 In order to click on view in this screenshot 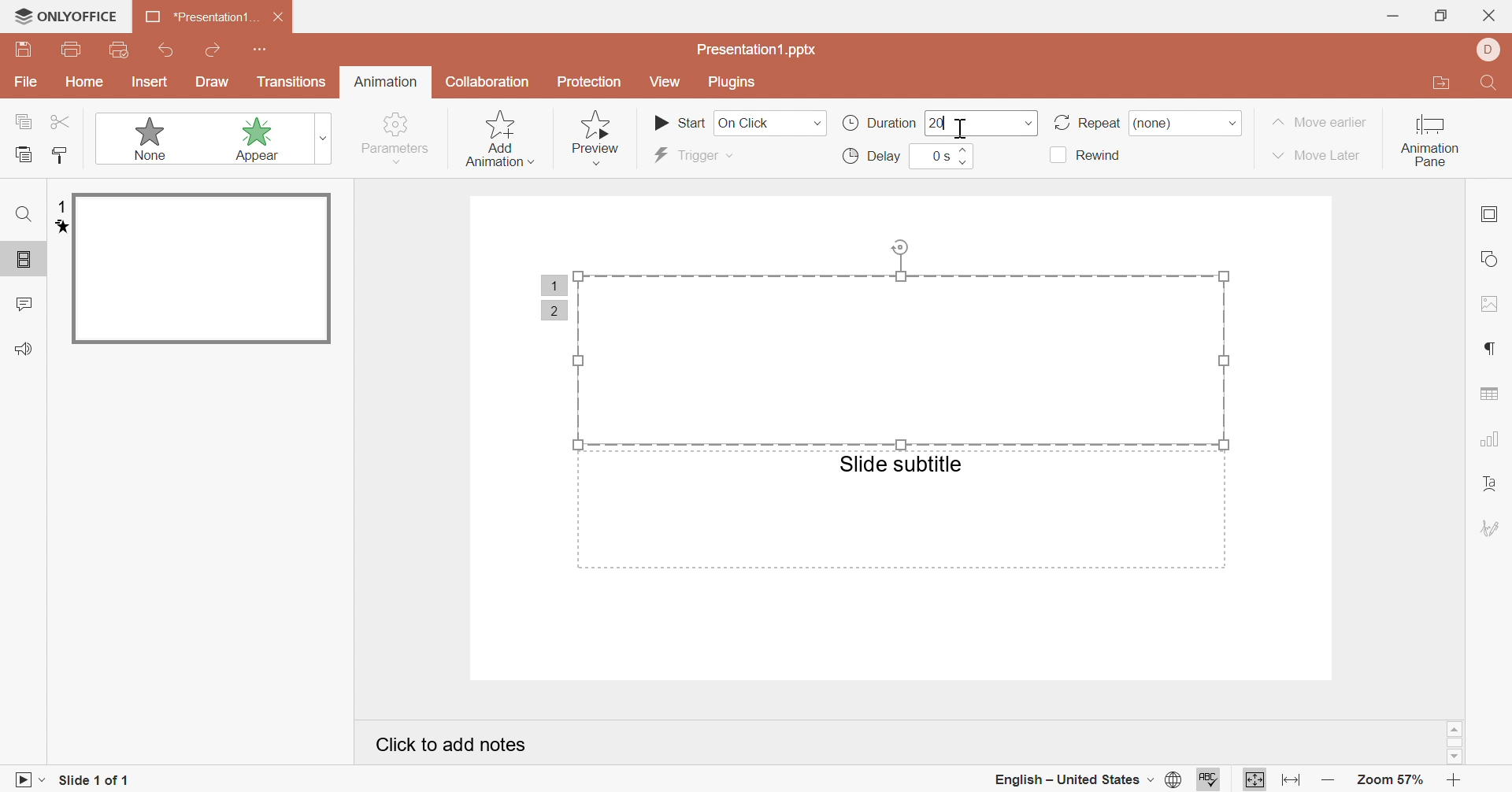, I will do `click(665, 81)`.